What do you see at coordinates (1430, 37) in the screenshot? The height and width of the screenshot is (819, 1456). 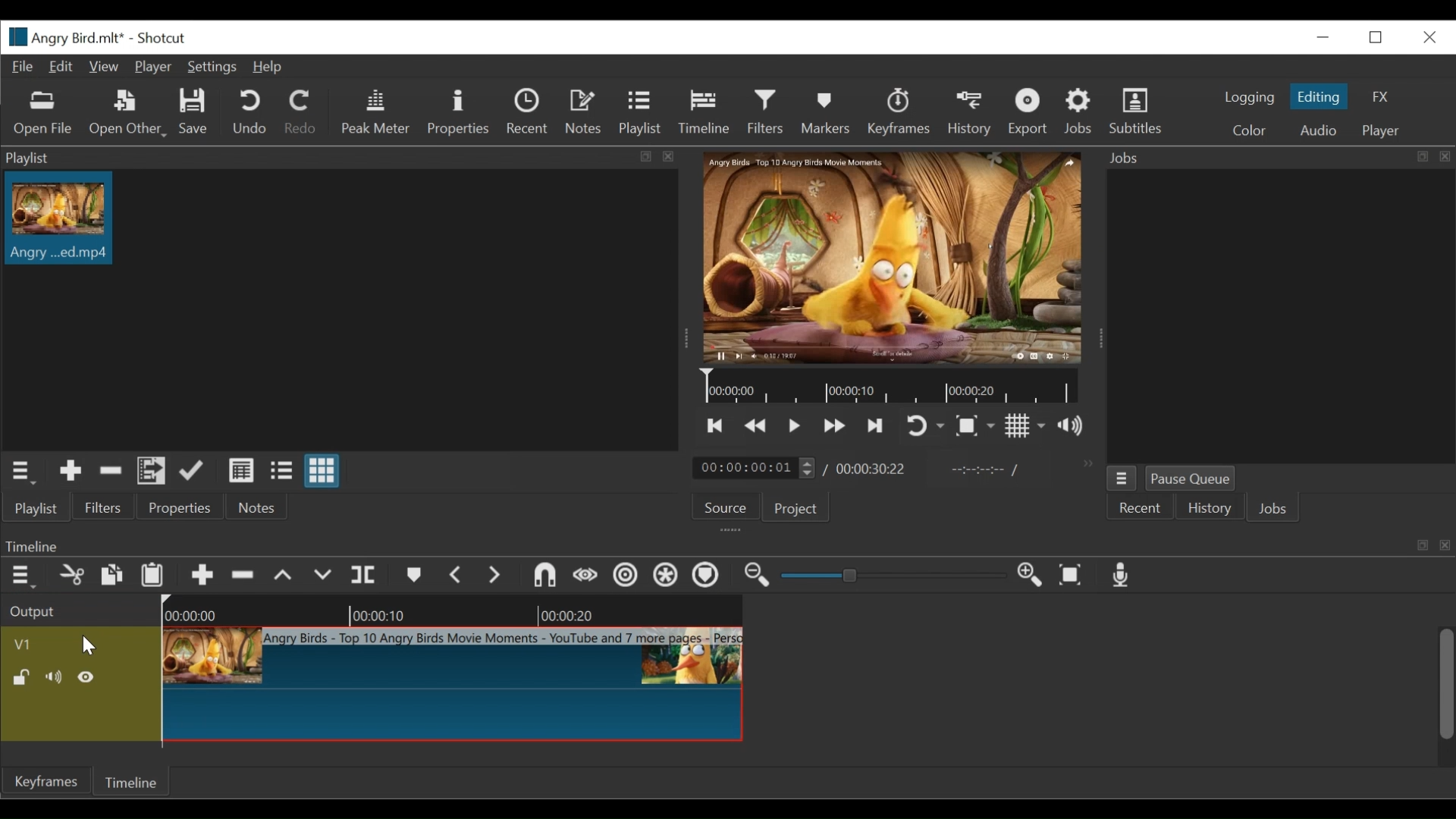 I see `Close` at bounding box center [1430, 37].